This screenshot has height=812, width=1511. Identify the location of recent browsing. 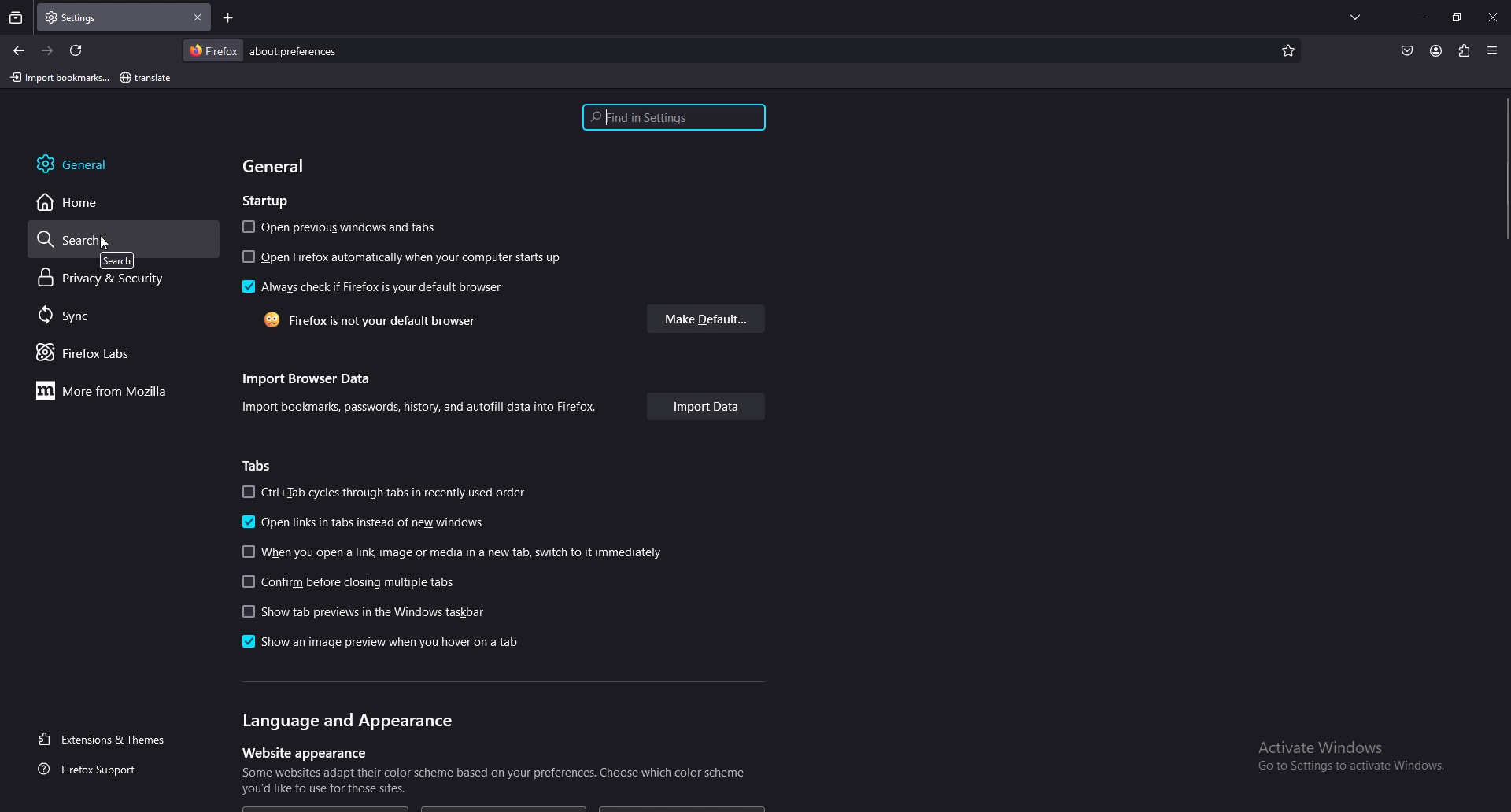
(16, 17).